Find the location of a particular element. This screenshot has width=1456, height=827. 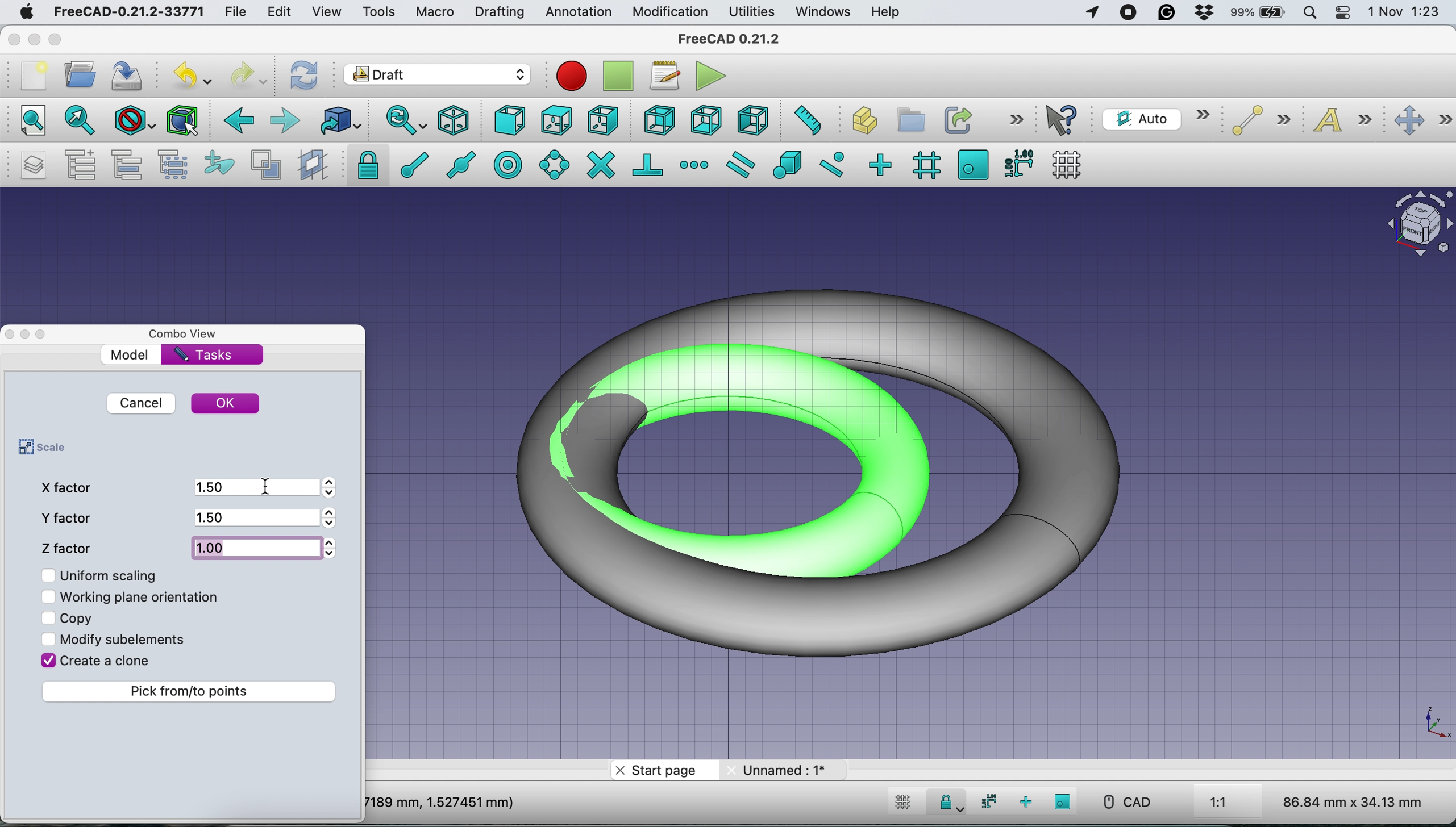

annotation is located at coordinates (578, 12).